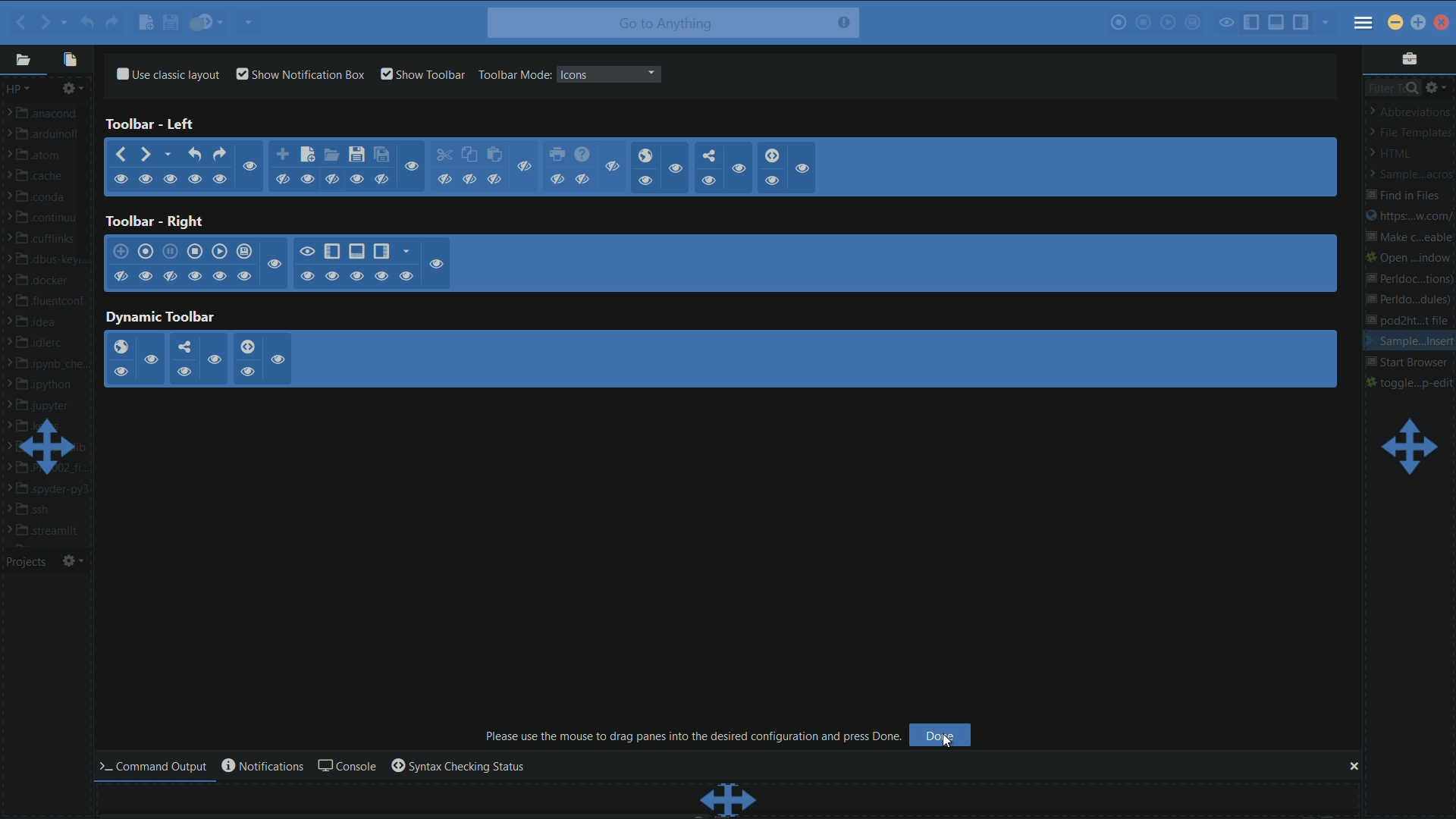 The image size is (1456, 819). What do you see at coordinates (469, 180) in the screenshot?
I see `show/hide` at bounding box center [469, 180].